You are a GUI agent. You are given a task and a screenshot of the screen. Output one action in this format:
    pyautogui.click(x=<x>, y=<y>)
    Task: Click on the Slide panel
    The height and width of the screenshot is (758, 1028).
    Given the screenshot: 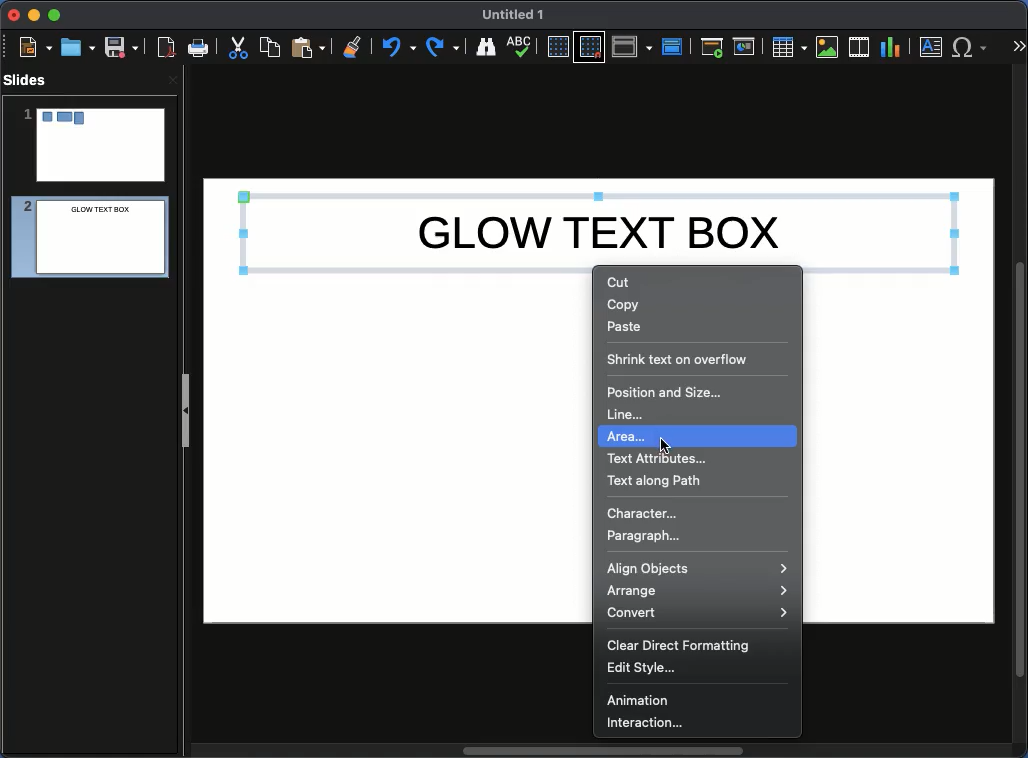 What is the action you would take?
    pyautogui.click(x=185, y=410)
    